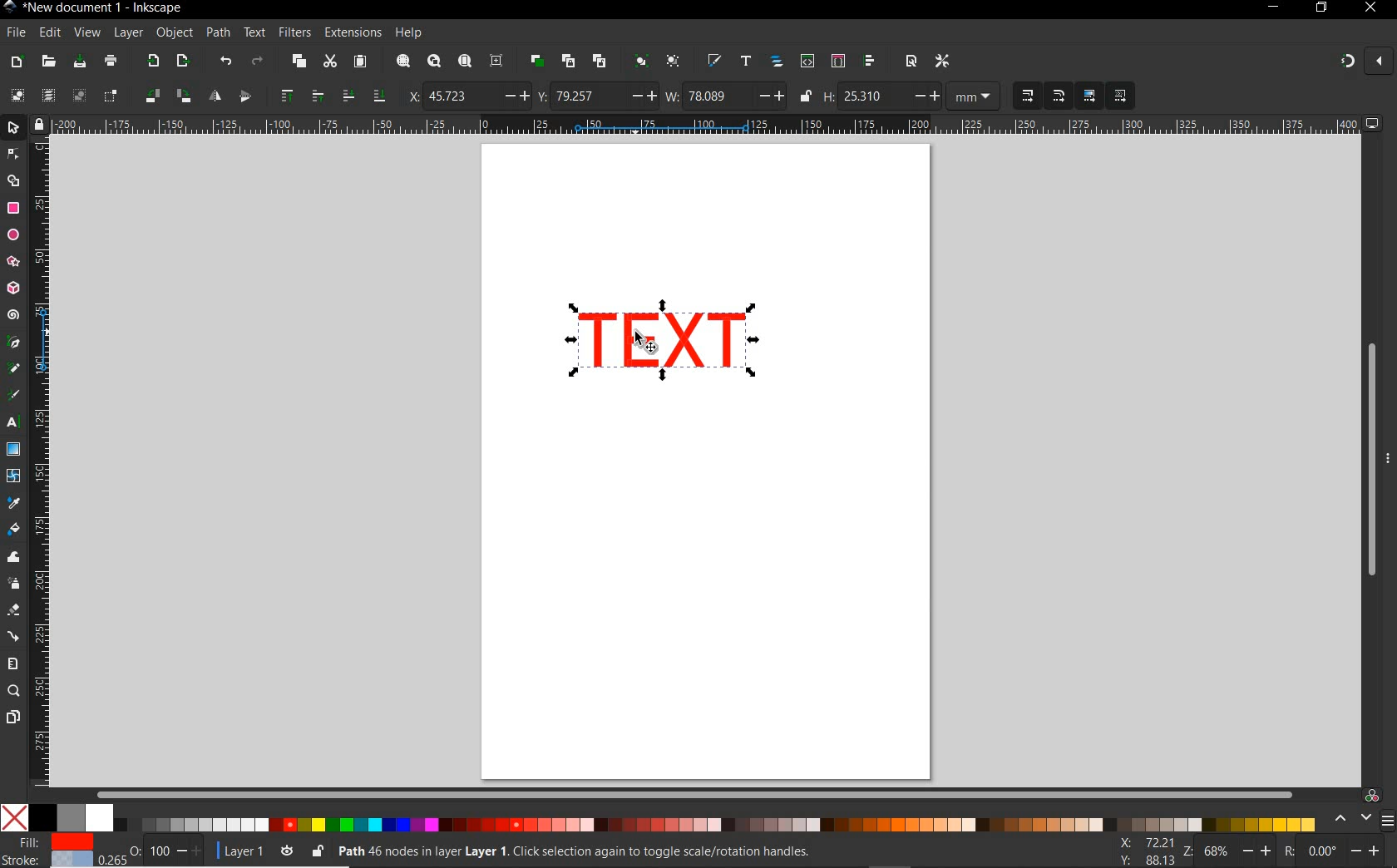 This screenshot has height=868, width=1397. I want to click on HORIZONTAL COORDINATE OF SELECTION, so click(469, 96).